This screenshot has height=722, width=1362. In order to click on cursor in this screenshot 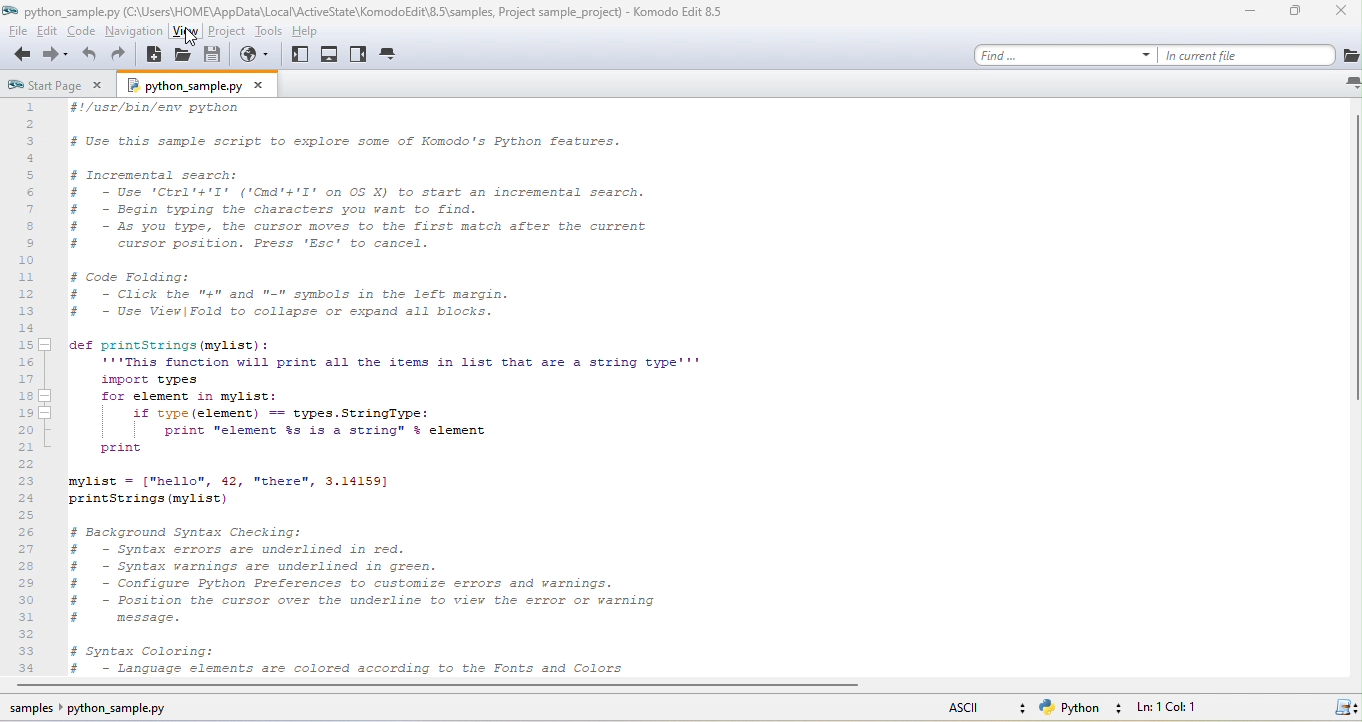, I will do `click(201, 40)`.